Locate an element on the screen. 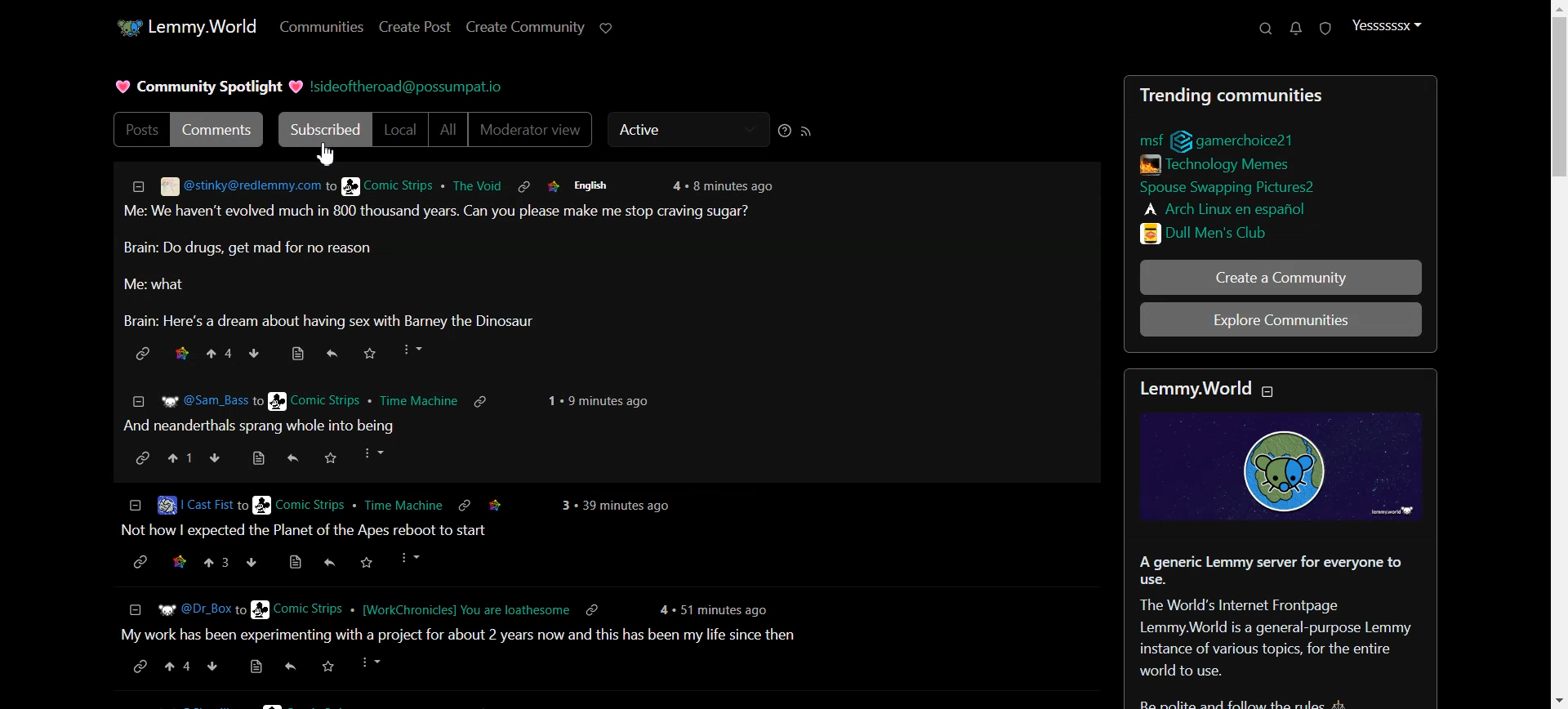 This screenshot has height=709, width=1568. downvote is located at coordinates (213, 670).